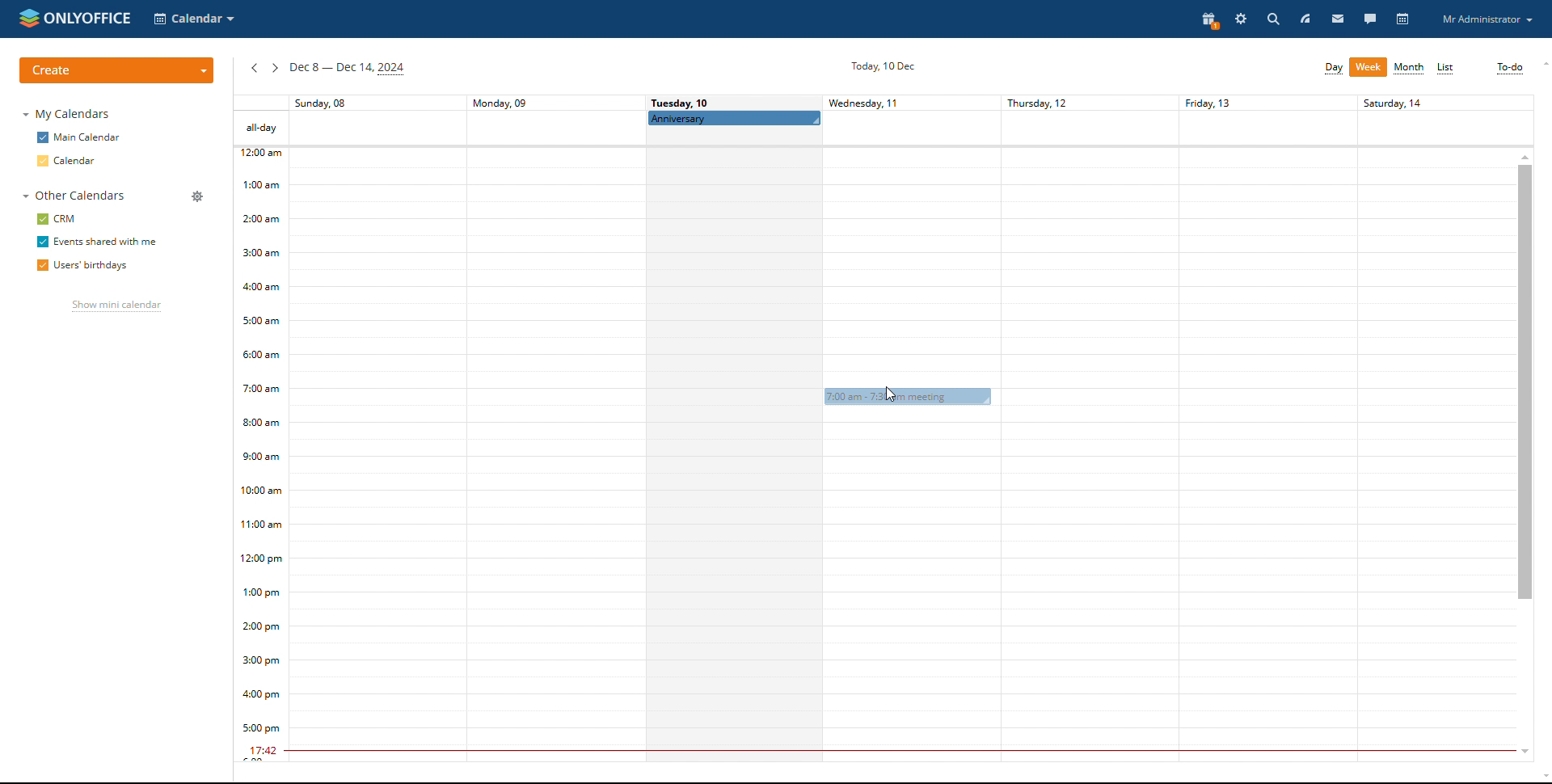  What do you see at coordinates (1520, 753) in the screenshot?
I see `scroll down` at bounding box center [1520, 753].